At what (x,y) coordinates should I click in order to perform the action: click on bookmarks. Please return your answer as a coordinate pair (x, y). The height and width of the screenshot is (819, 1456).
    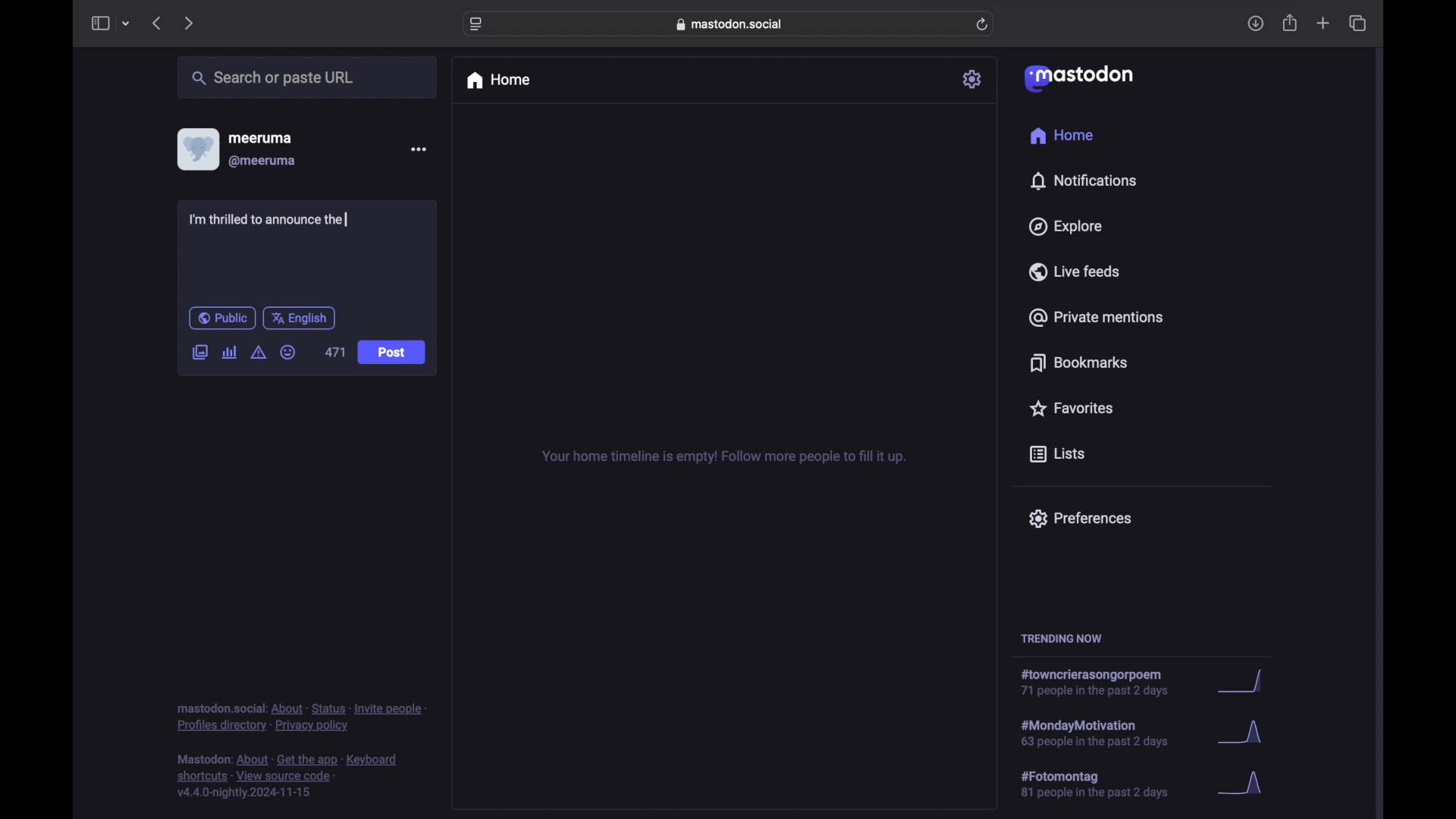
    Looking at the image, I should click on (1081, 362).